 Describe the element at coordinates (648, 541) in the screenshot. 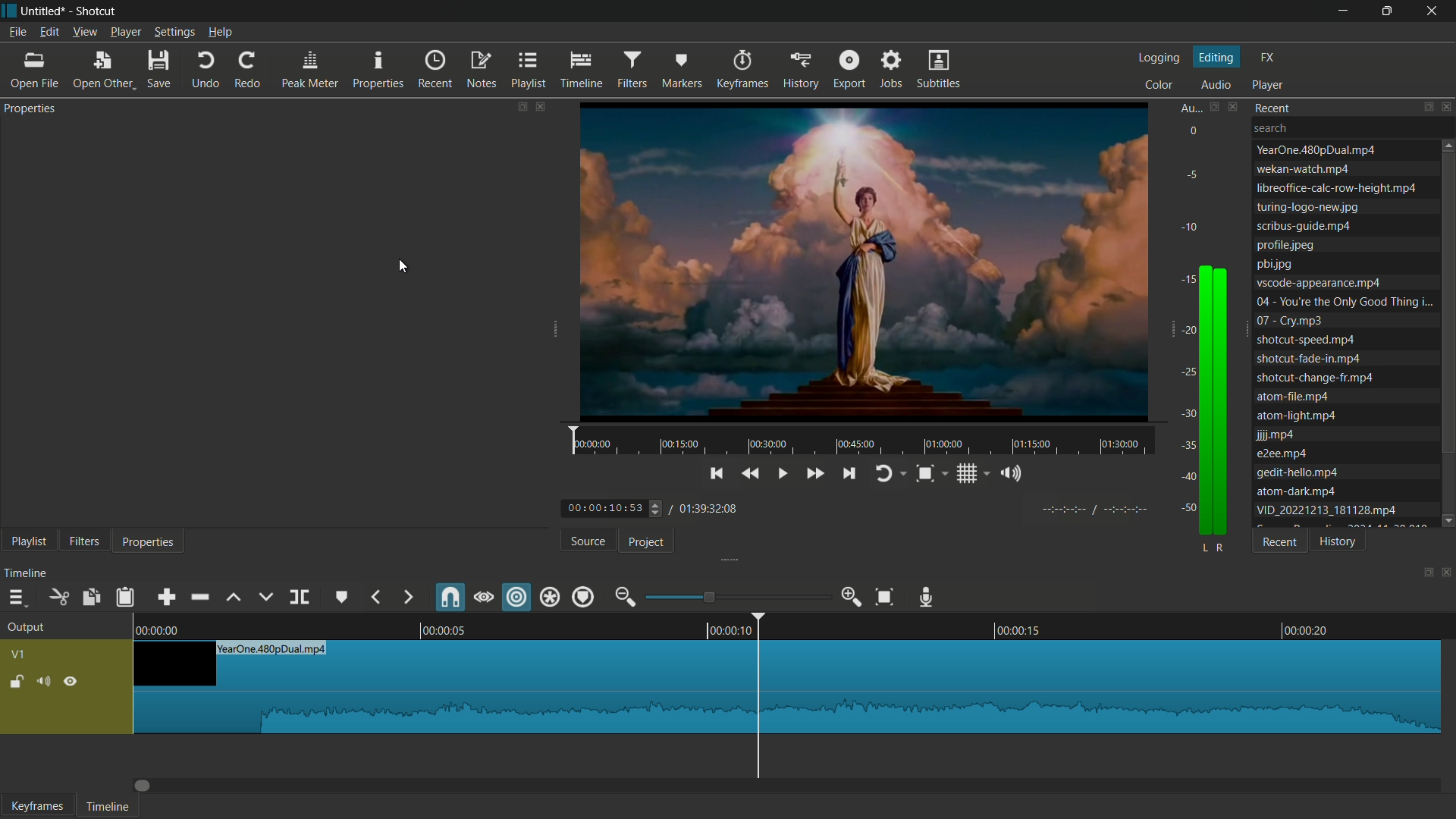

I see `project` at that location.